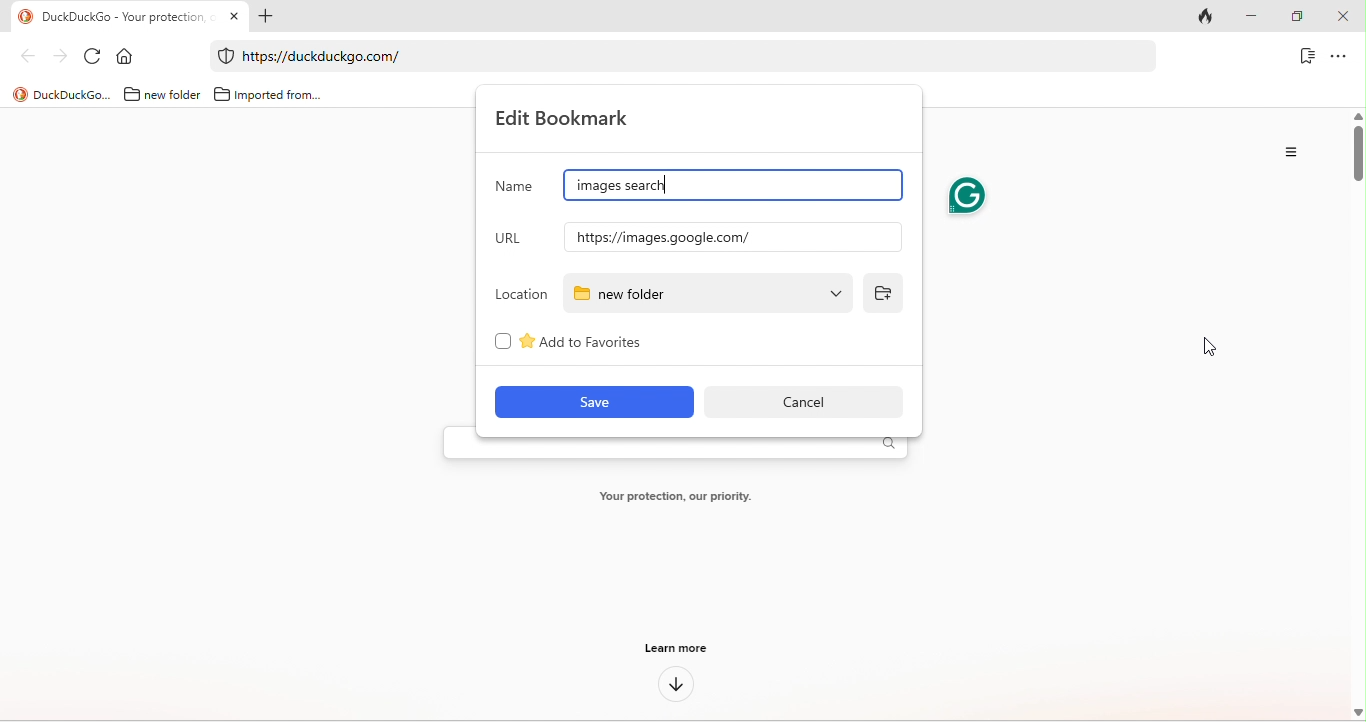 The image size is (1366, 722). What do you see at coordinates (267, 91) in the screenshot?
I see `imported from` at bounding box center [267, 91].